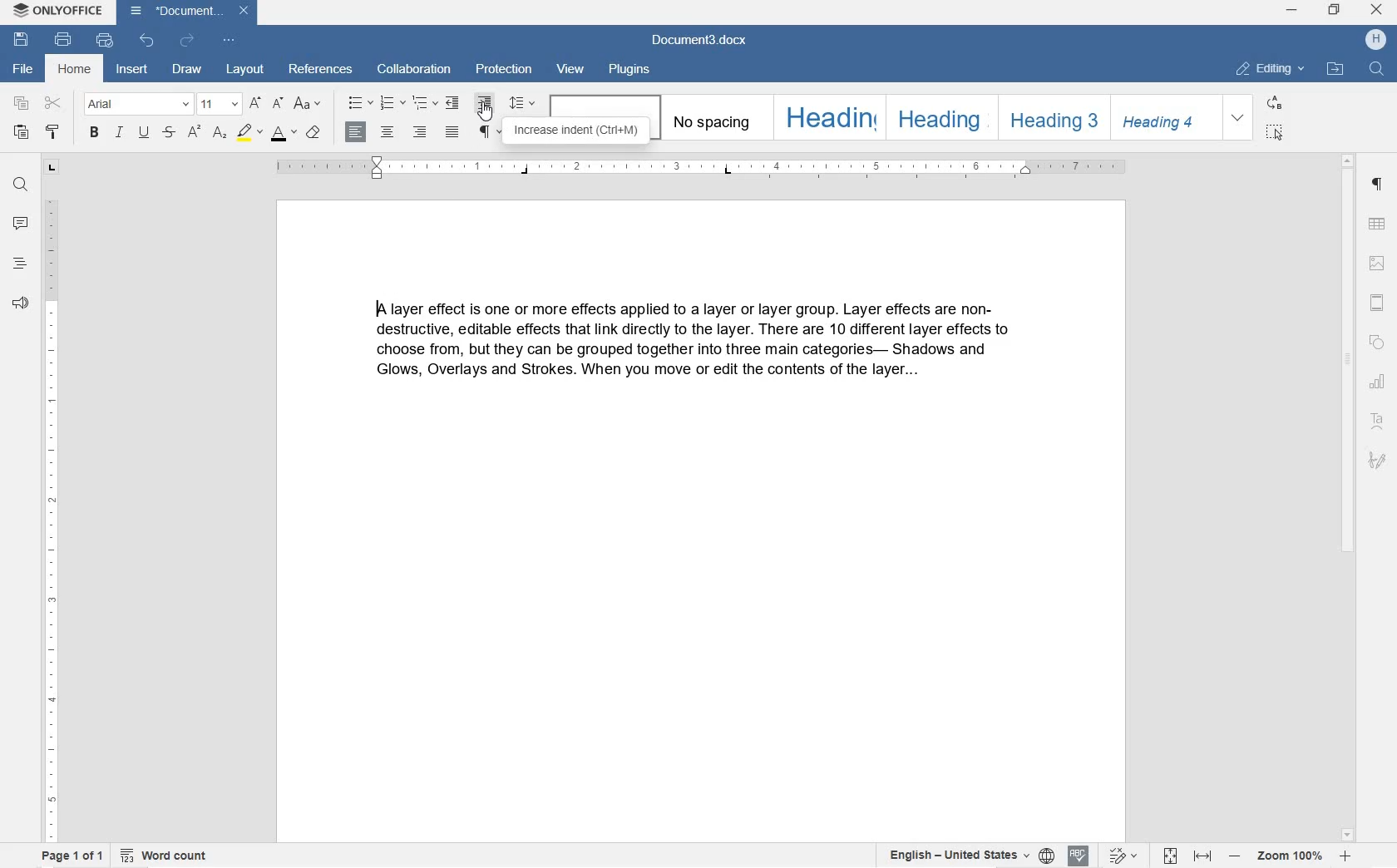  What do you see at coordinates (574, 70) in the screenshot?
I see `VIEW` at bounding box center [574, 70].